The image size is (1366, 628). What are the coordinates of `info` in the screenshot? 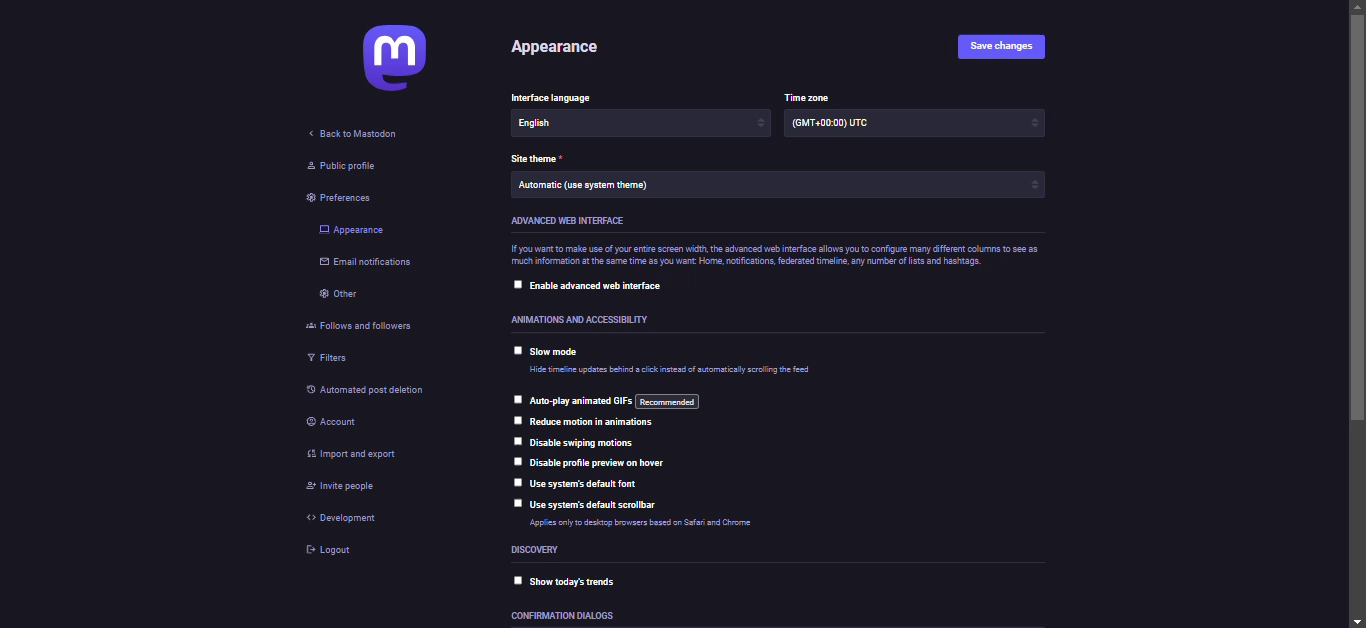 It's located at (770, 256).